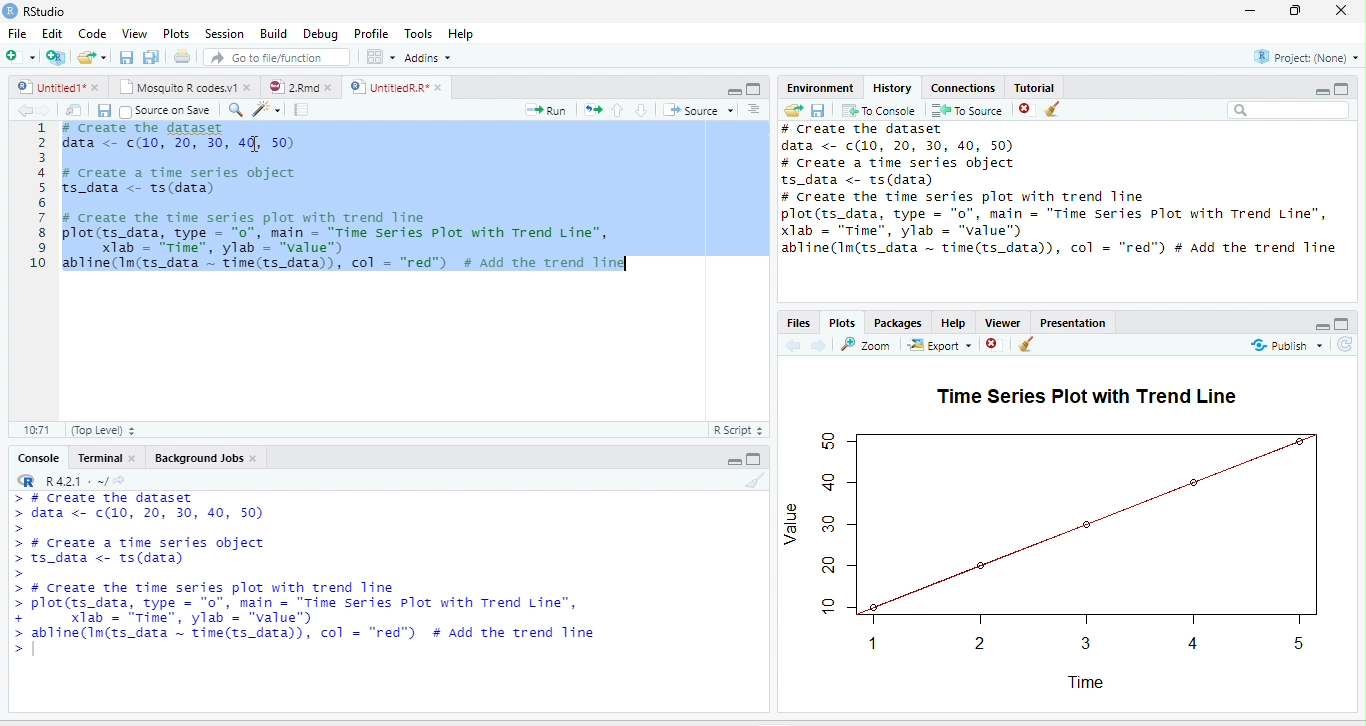 This screenshot has height=726, width=1366. What do you see at coordinates (176, 33) in the screenshot?
I see `Plots` at bounding box center [176, 33].